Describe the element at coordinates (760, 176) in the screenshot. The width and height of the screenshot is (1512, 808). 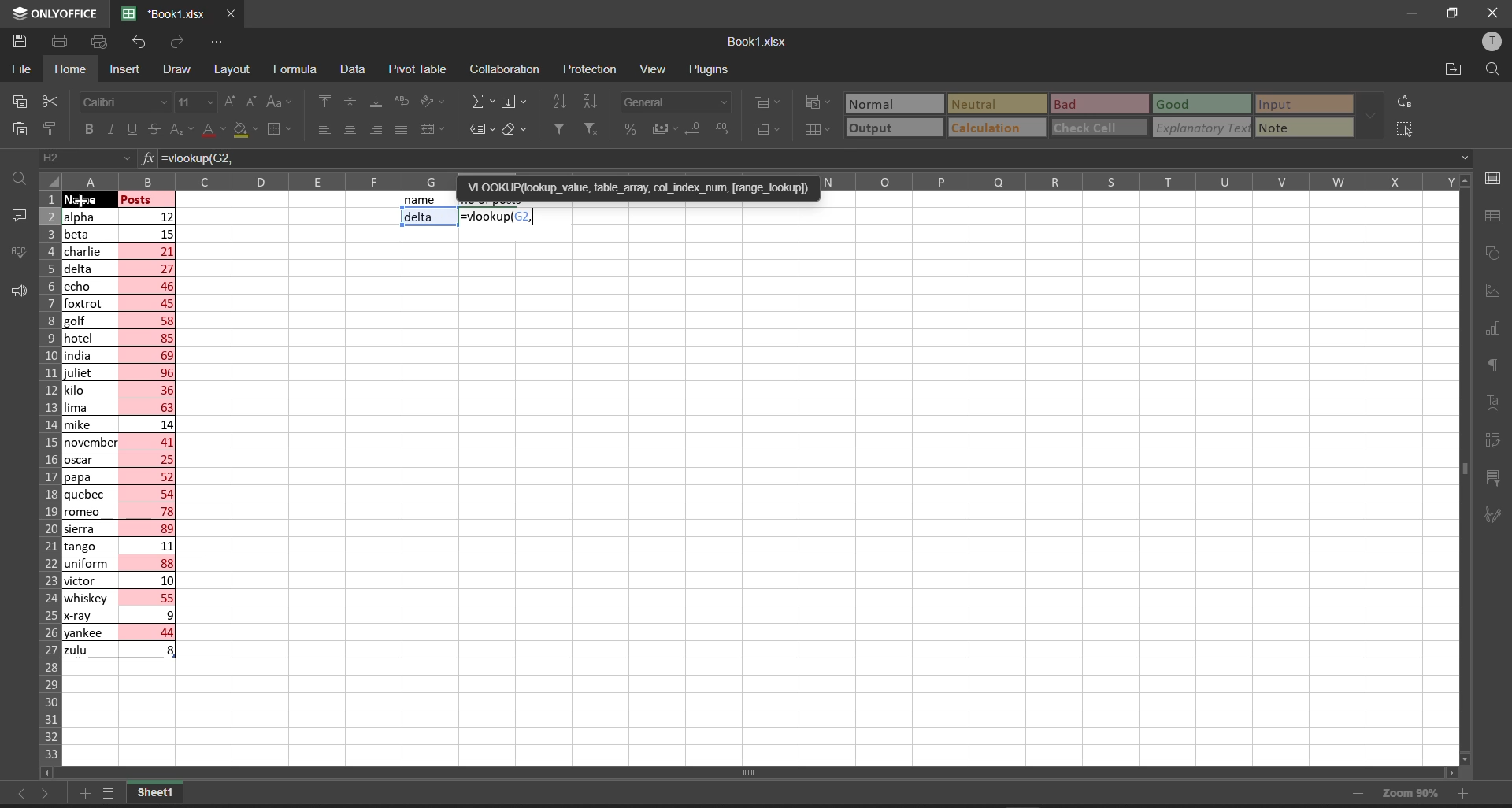
I see `column names` at that location.